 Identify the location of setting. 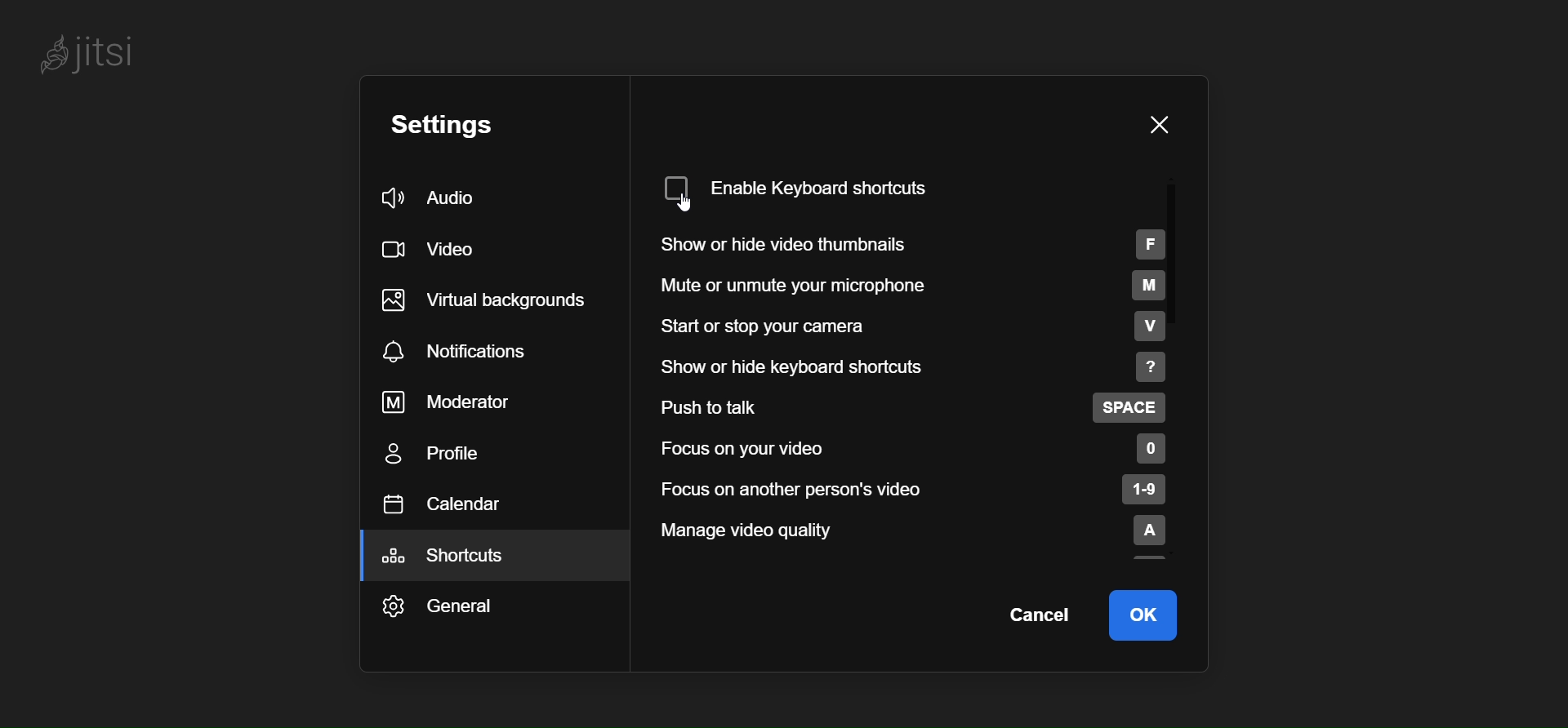
(454, 126).